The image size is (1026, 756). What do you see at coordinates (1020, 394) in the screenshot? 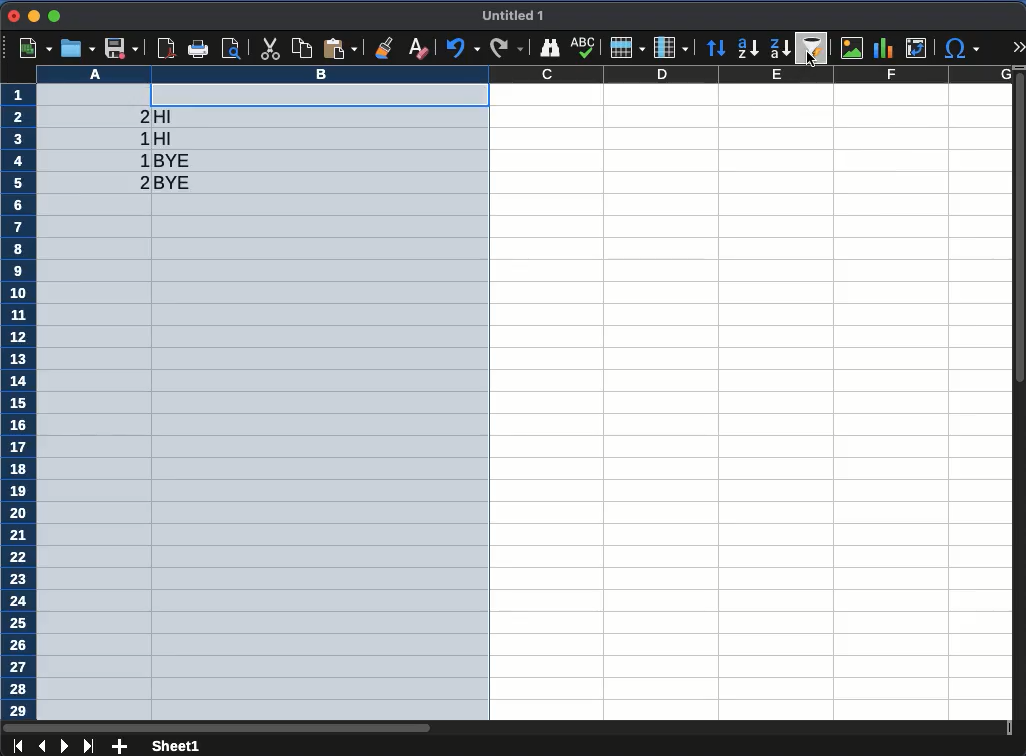
I see `scroll` at bounding box center [1020, 394].